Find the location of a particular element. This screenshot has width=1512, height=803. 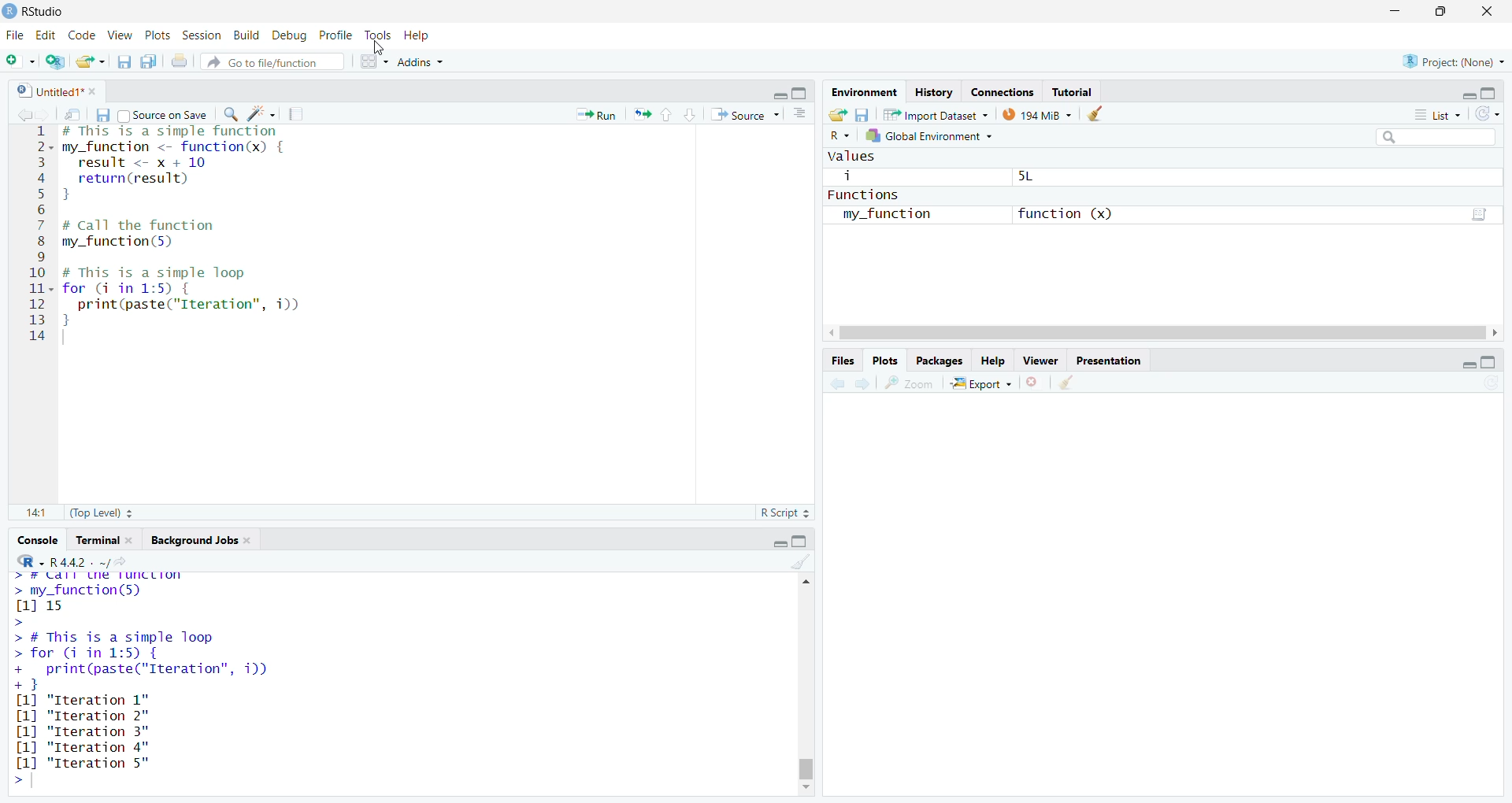

194 MiB is located at coordinates (1036, 117).